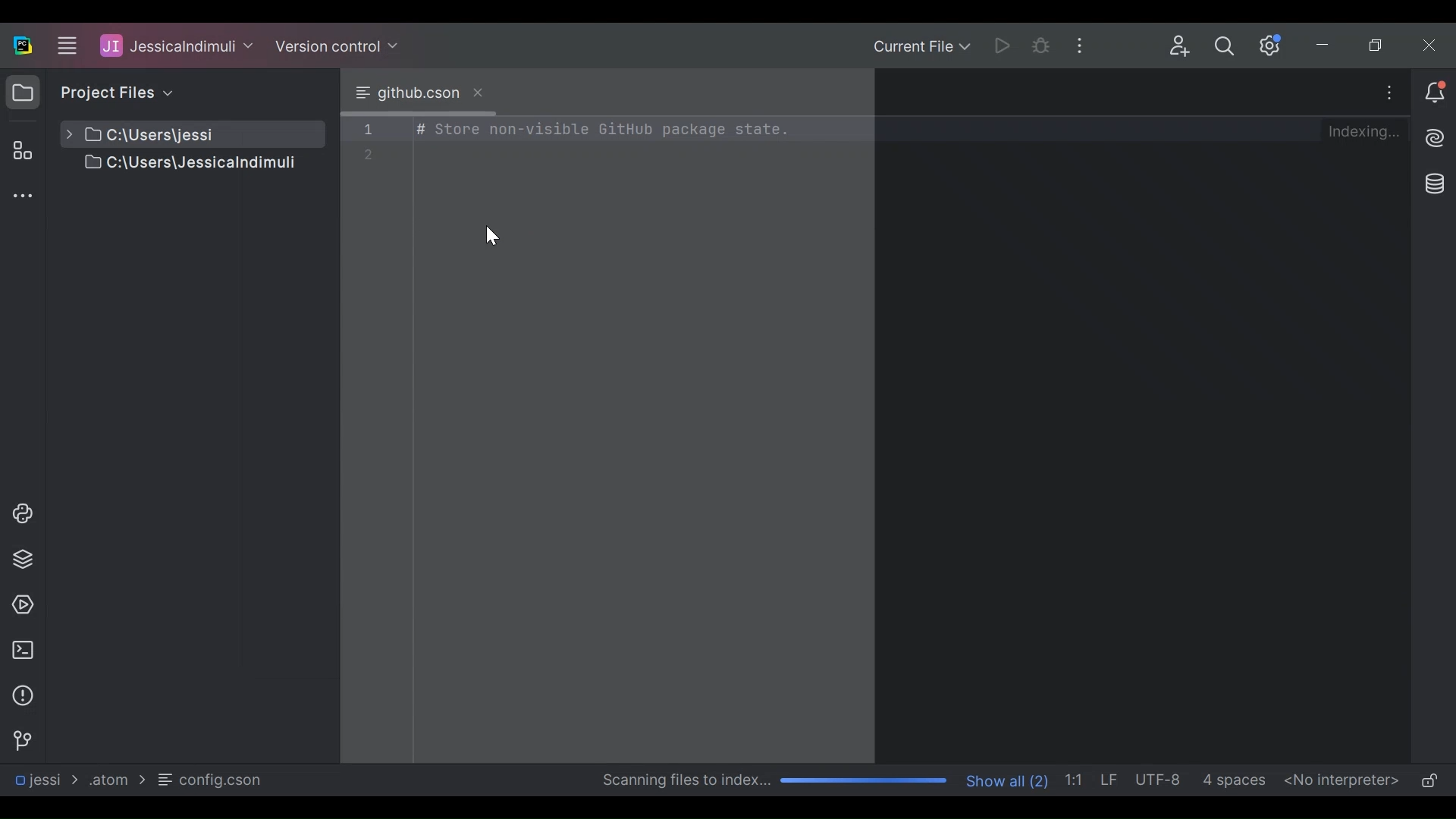 Image resolution: width=1456 pixels, height=819 pixels. I want to click on No interpreters, so click(1342, 780).